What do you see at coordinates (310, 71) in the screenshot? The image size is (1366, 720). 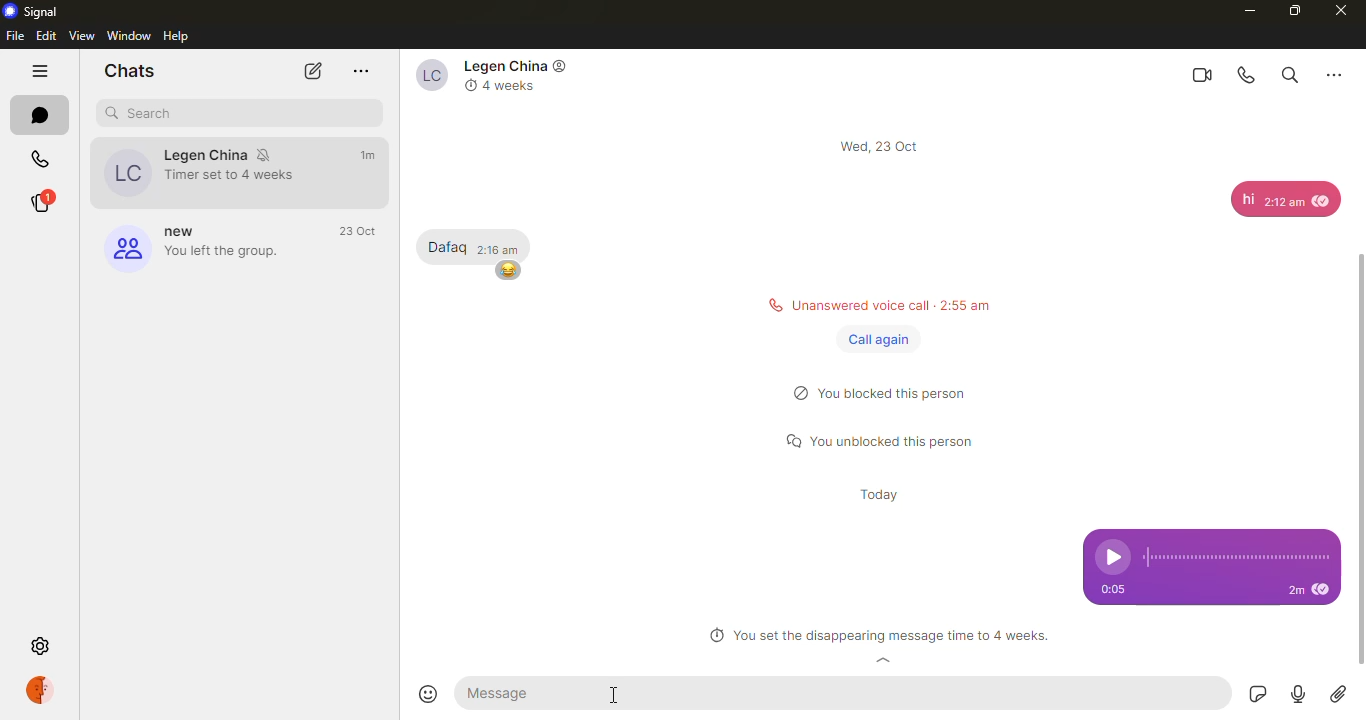 I see `new chat` at bounding box center [310, 71].